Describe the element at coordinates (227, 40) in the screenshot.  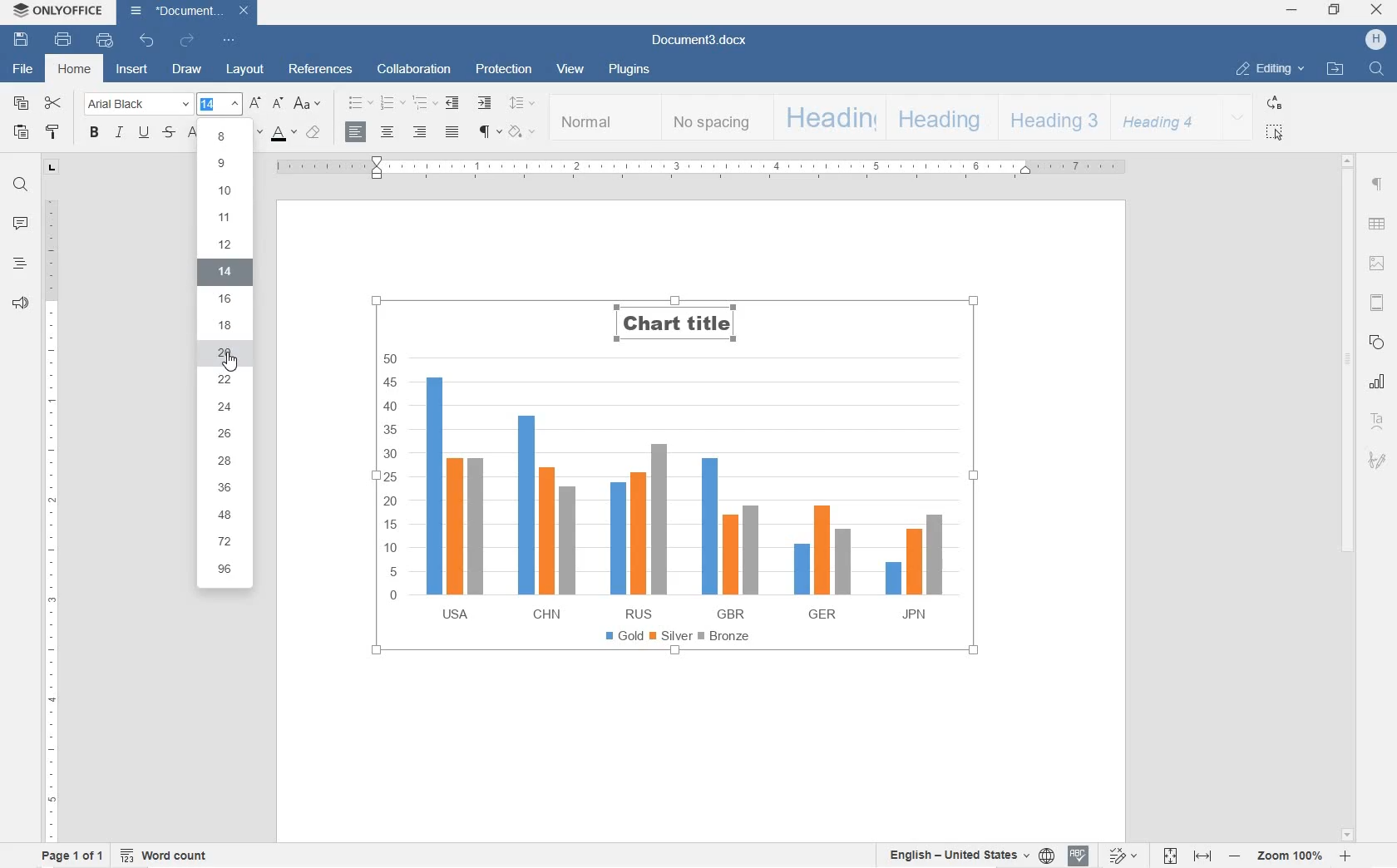
I see `CUSTOMIZE QUICK ACCESS TOOLBAR` at that location.